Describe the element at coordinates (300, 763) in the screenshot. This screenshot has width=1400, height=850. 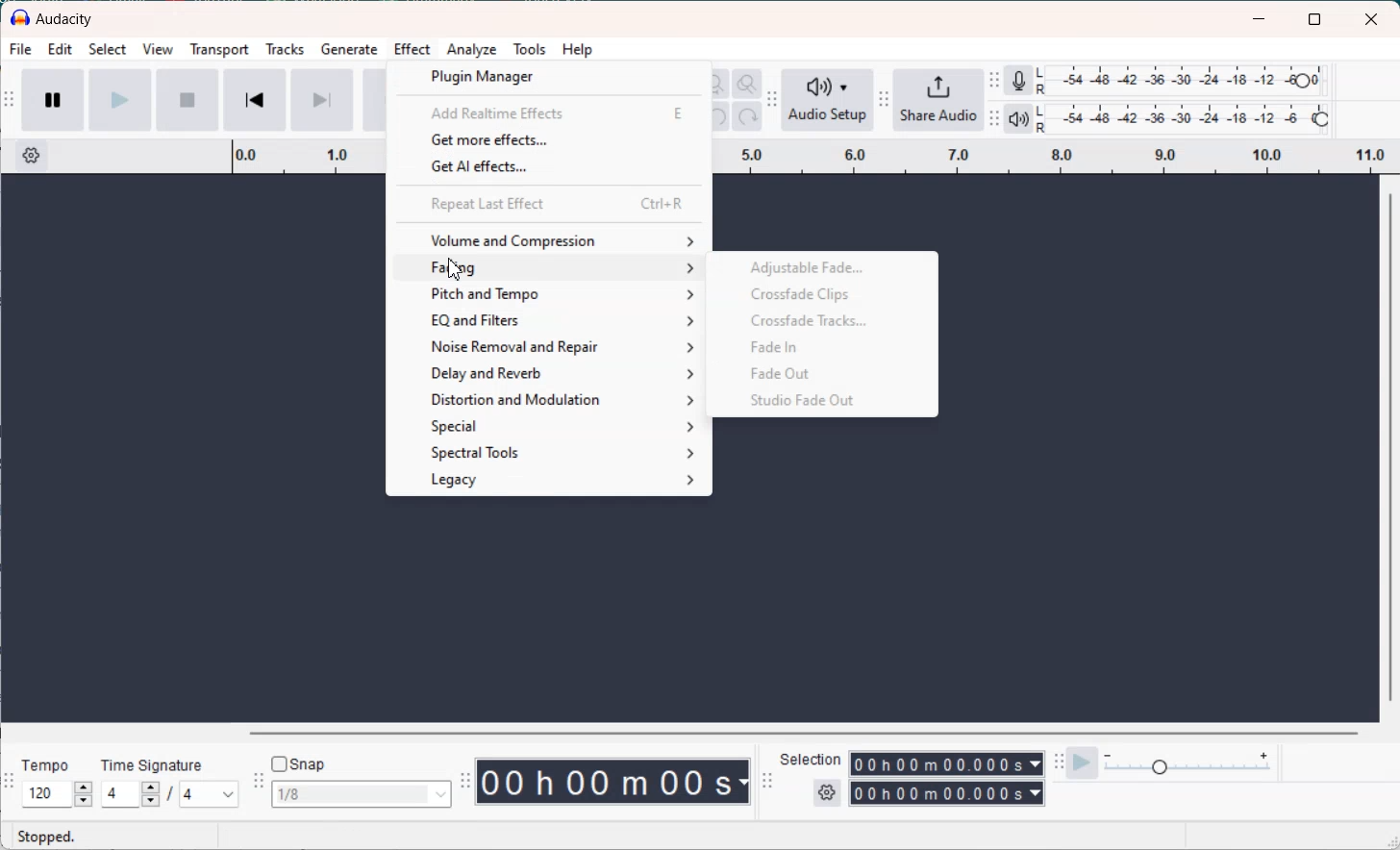
I see `Snap Checklist` at that location.